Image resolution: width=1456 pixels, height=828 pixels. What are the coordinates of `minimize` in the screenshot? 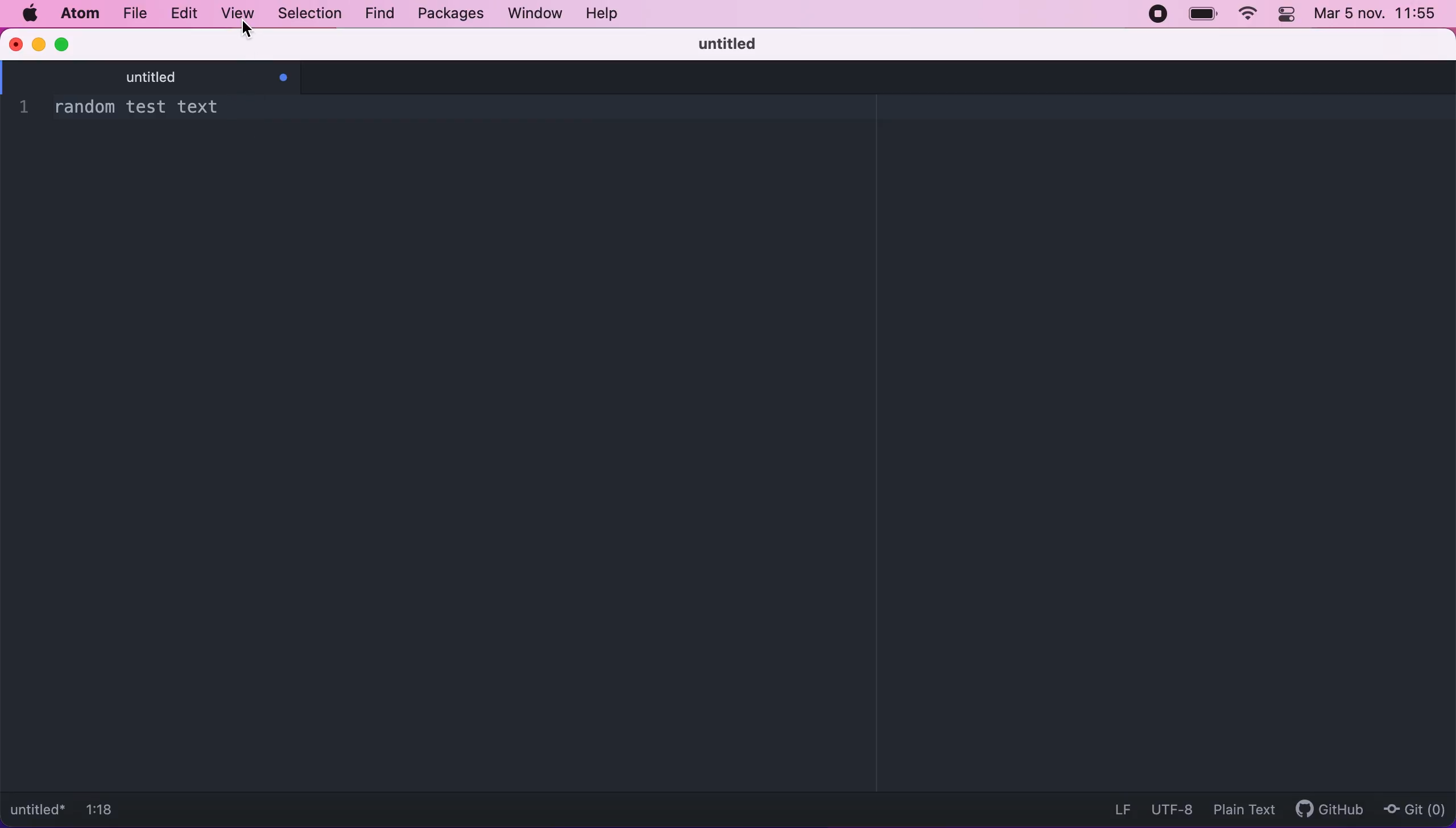 It's located at (38, 45).